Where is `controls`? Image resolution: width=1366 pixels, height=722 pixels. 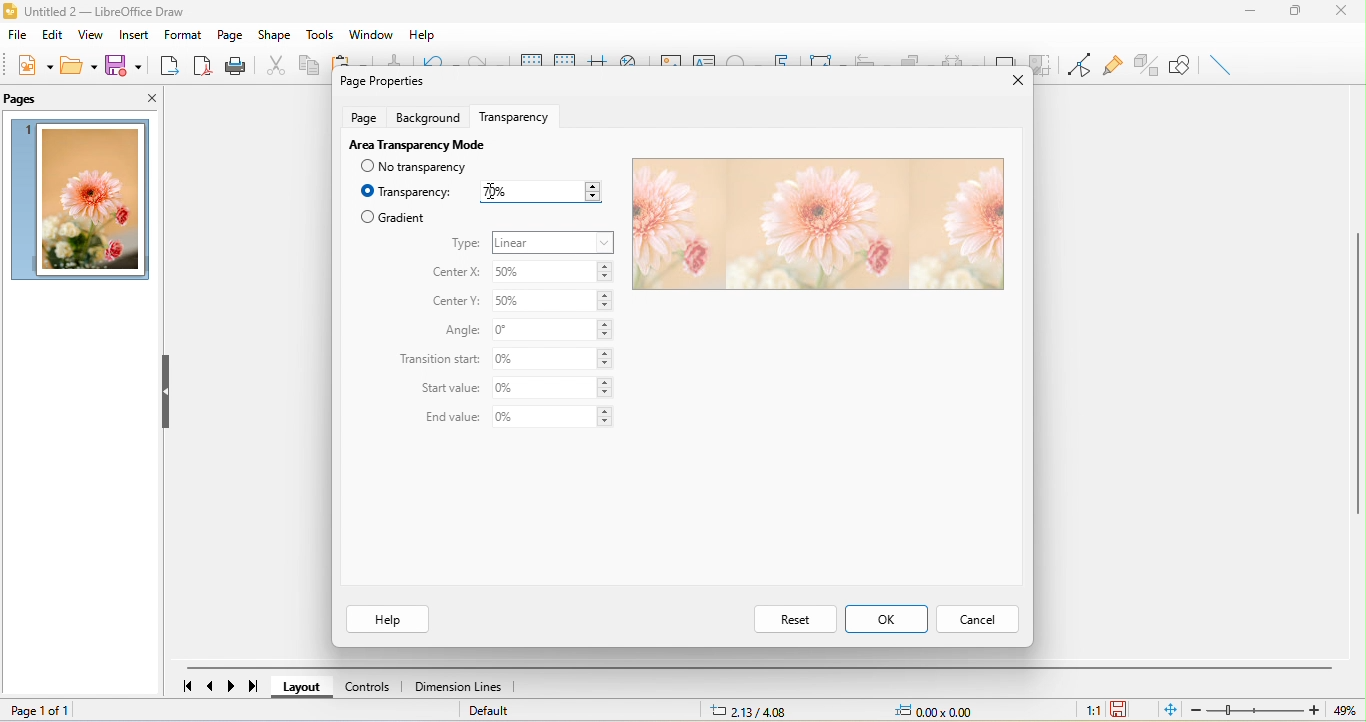
controls is located at coordinates (372, 687).